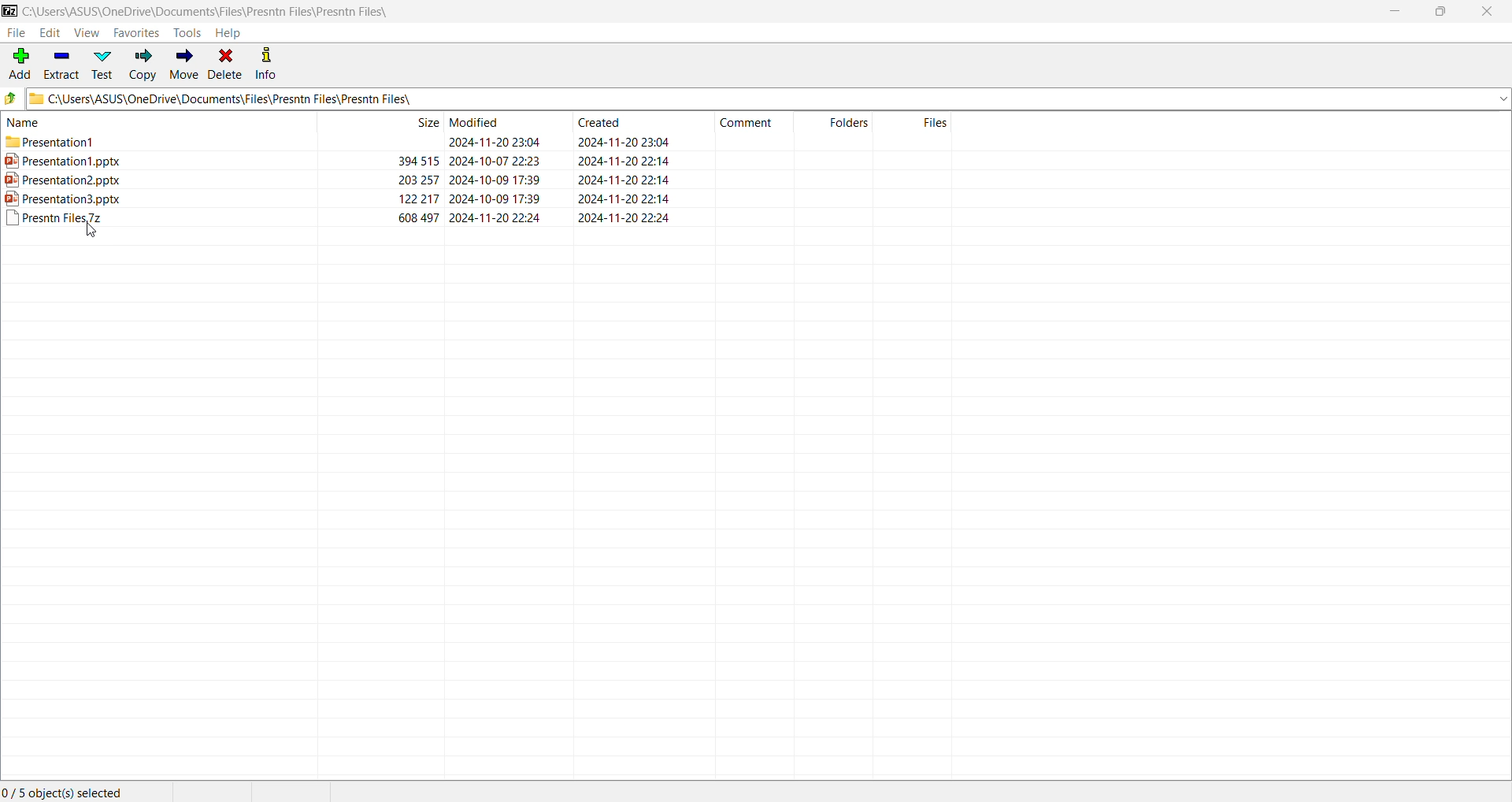 This screenshot has width=1512, height=802. I want to click on View, so click(87, 33).